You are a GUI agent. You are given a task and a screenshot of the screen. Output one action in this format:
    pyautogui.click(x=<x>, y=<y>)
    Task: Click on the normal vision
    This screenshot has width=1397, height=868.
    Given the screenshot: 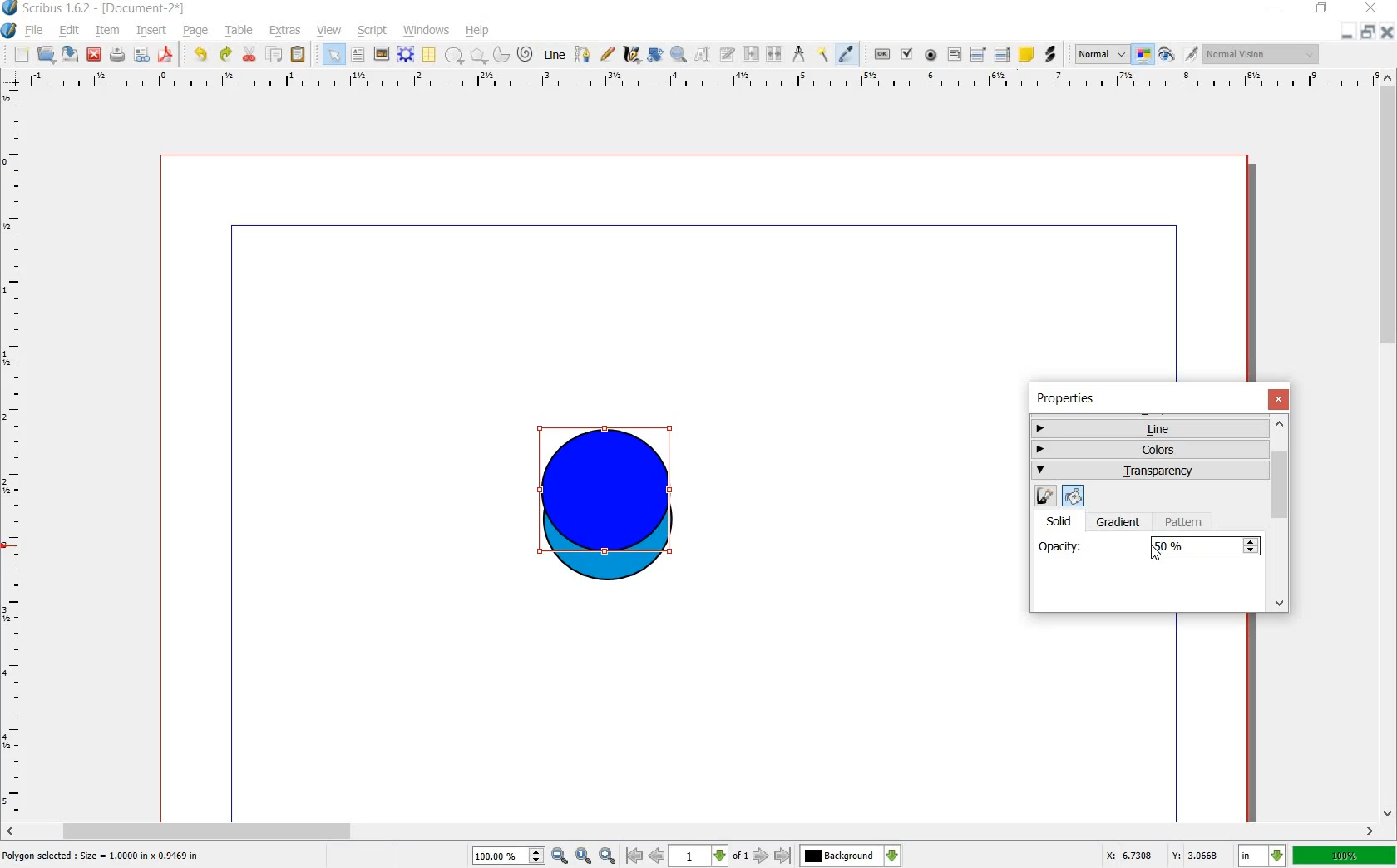 What is the action you would take?
    pyautogui.click(x=1261, y=55)
    